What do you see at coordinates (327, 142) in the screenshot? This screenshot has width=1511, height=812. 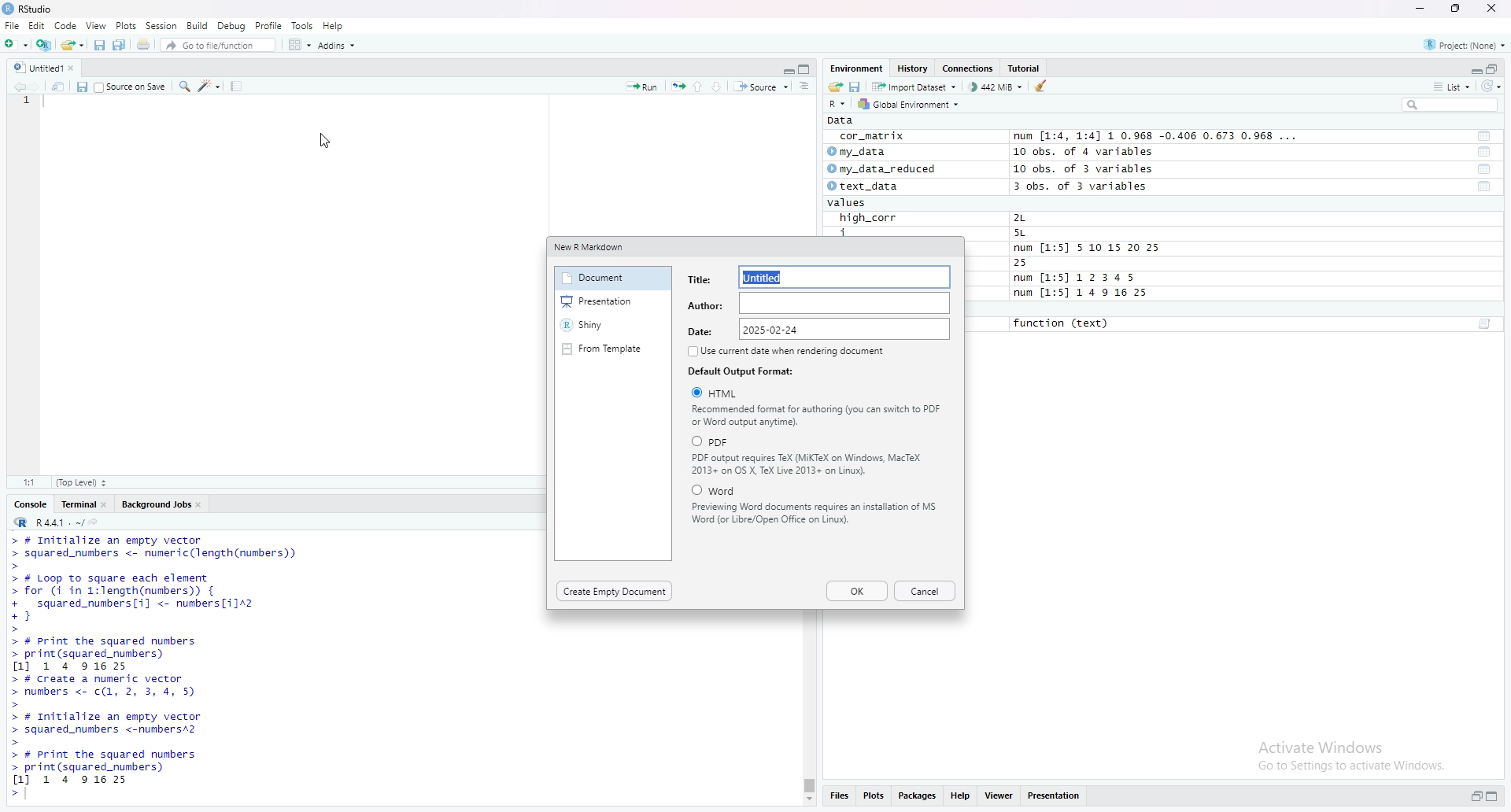 I see `cursro` at bounding box center [327, 142].